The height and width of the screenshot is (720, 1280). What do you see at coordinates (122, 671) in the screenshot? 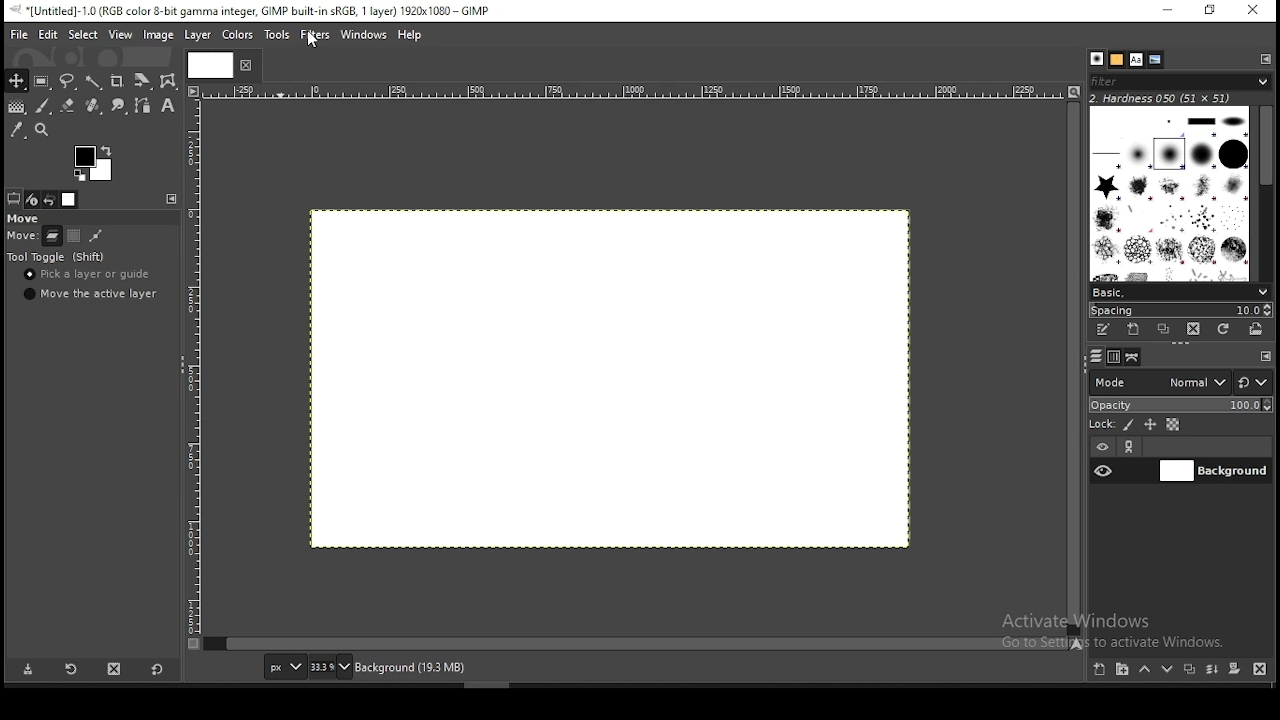
I see `delete tool preset` at bounding box center [122, 671].